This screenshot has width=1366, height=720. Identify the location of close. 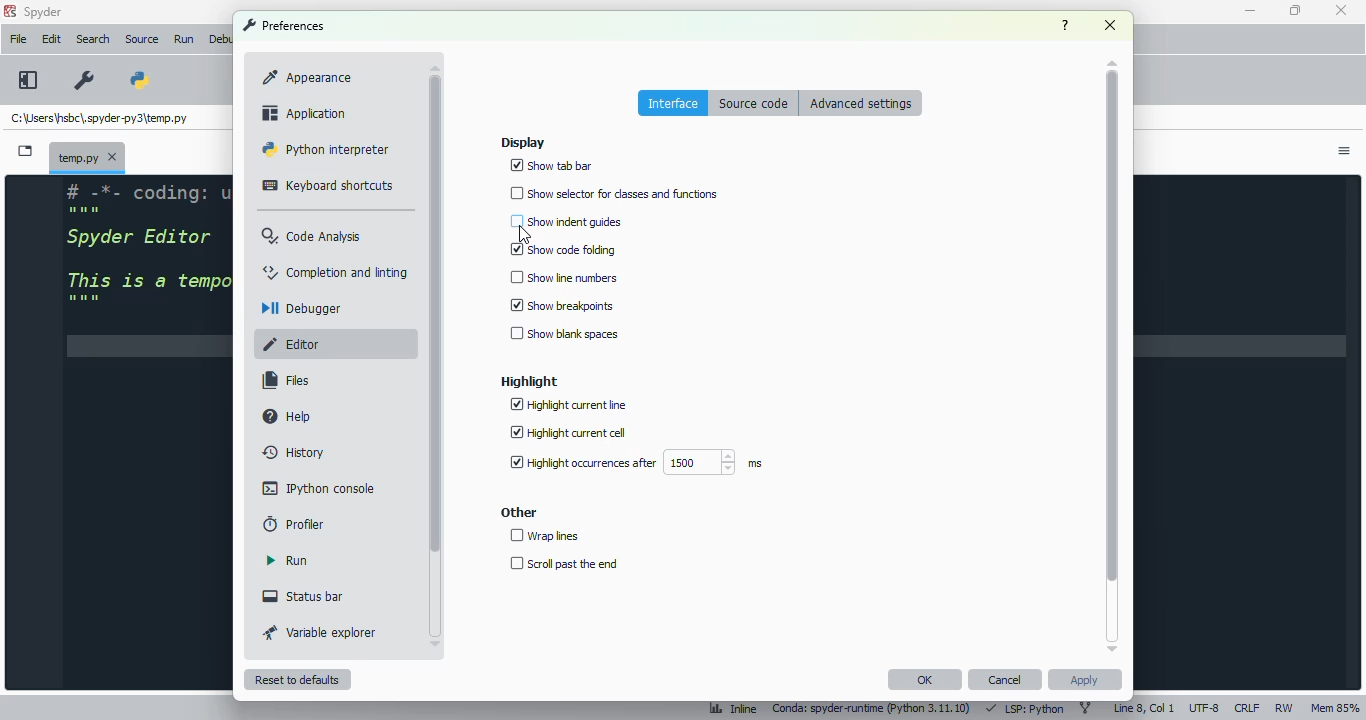
(1111, 24).